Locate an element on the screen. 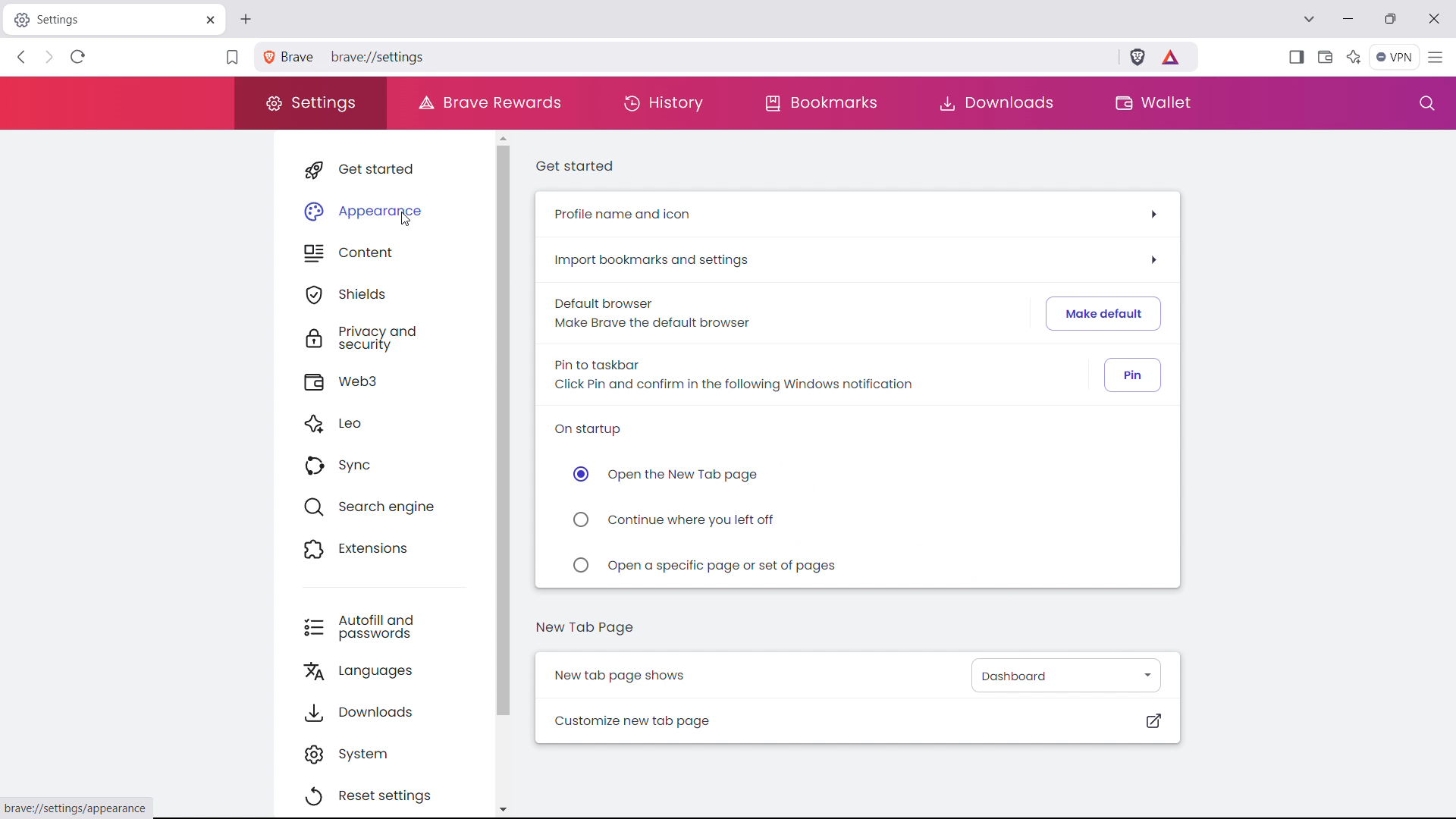 This screenshot has height=819, width=1456. brave rewards is located at coordinates (489, 102).